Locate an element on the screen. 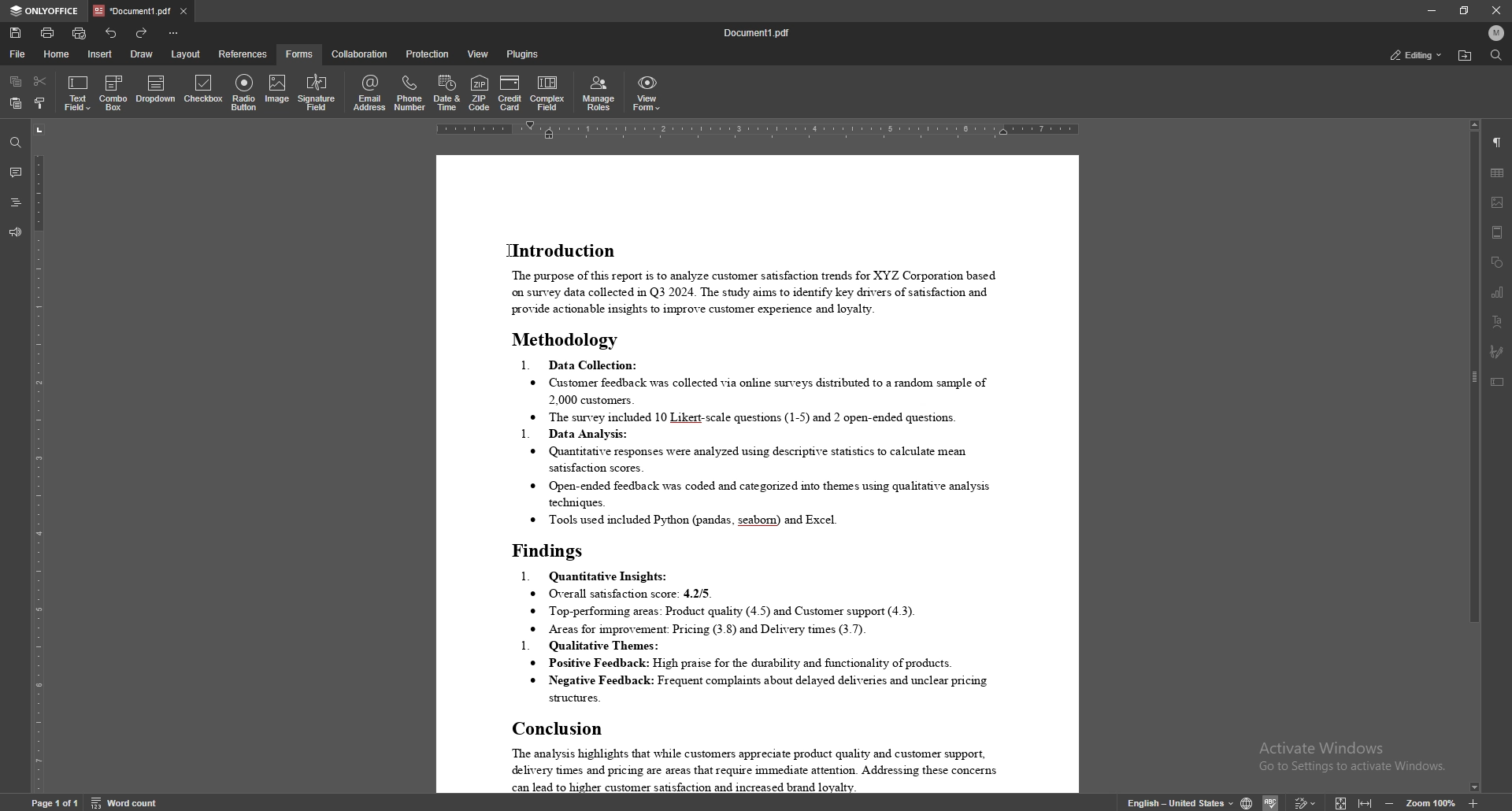 This screenshot has width=1512, height=811. table is located at coordinates (1497, 173).